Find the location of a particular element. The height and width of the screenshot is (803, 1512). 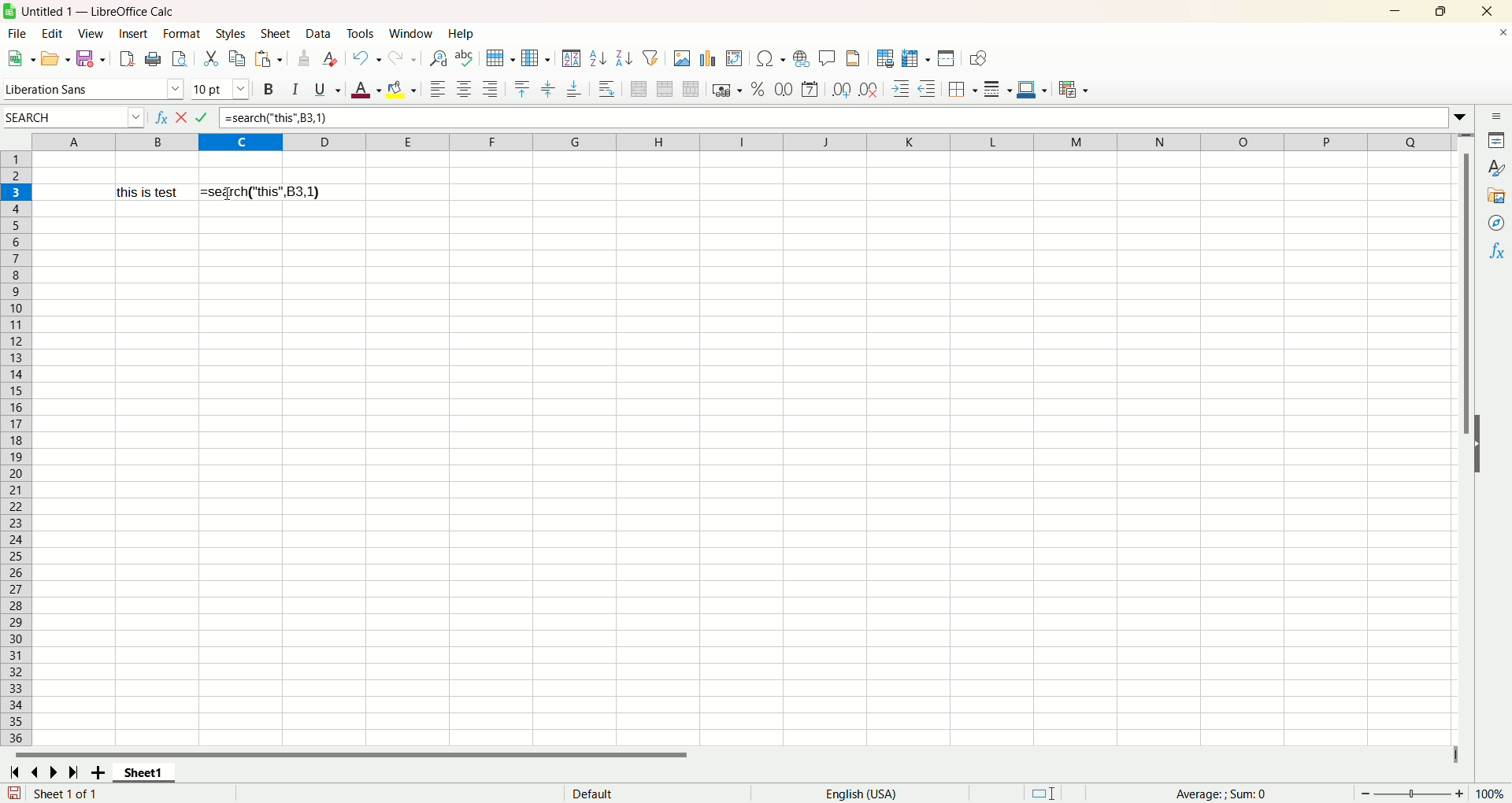

align center is located at coordinates (464, 87).